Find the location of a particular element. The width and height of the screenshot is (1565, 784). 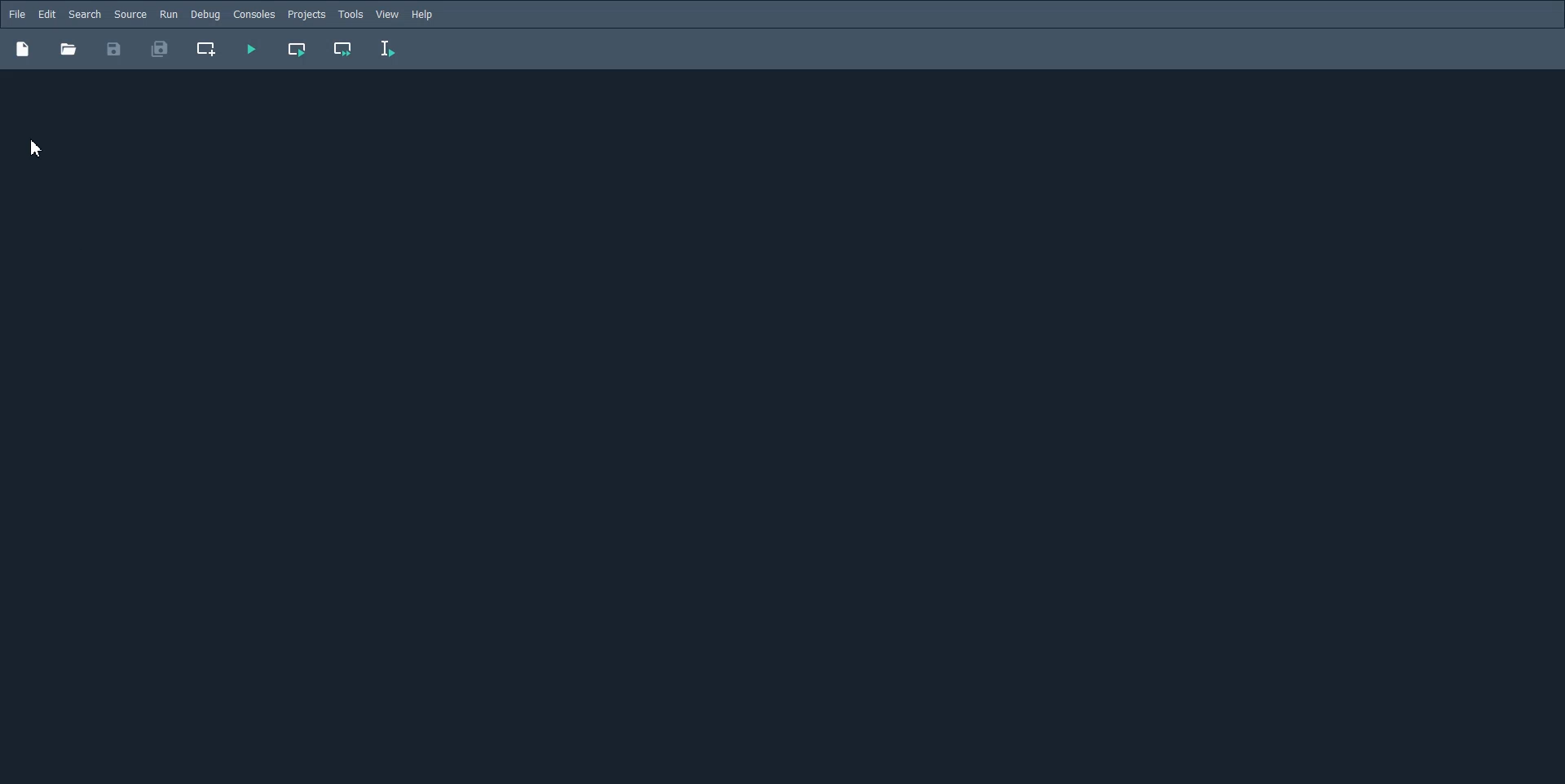

Run Current cell and go to next cell is located at coordinates (344, 50).